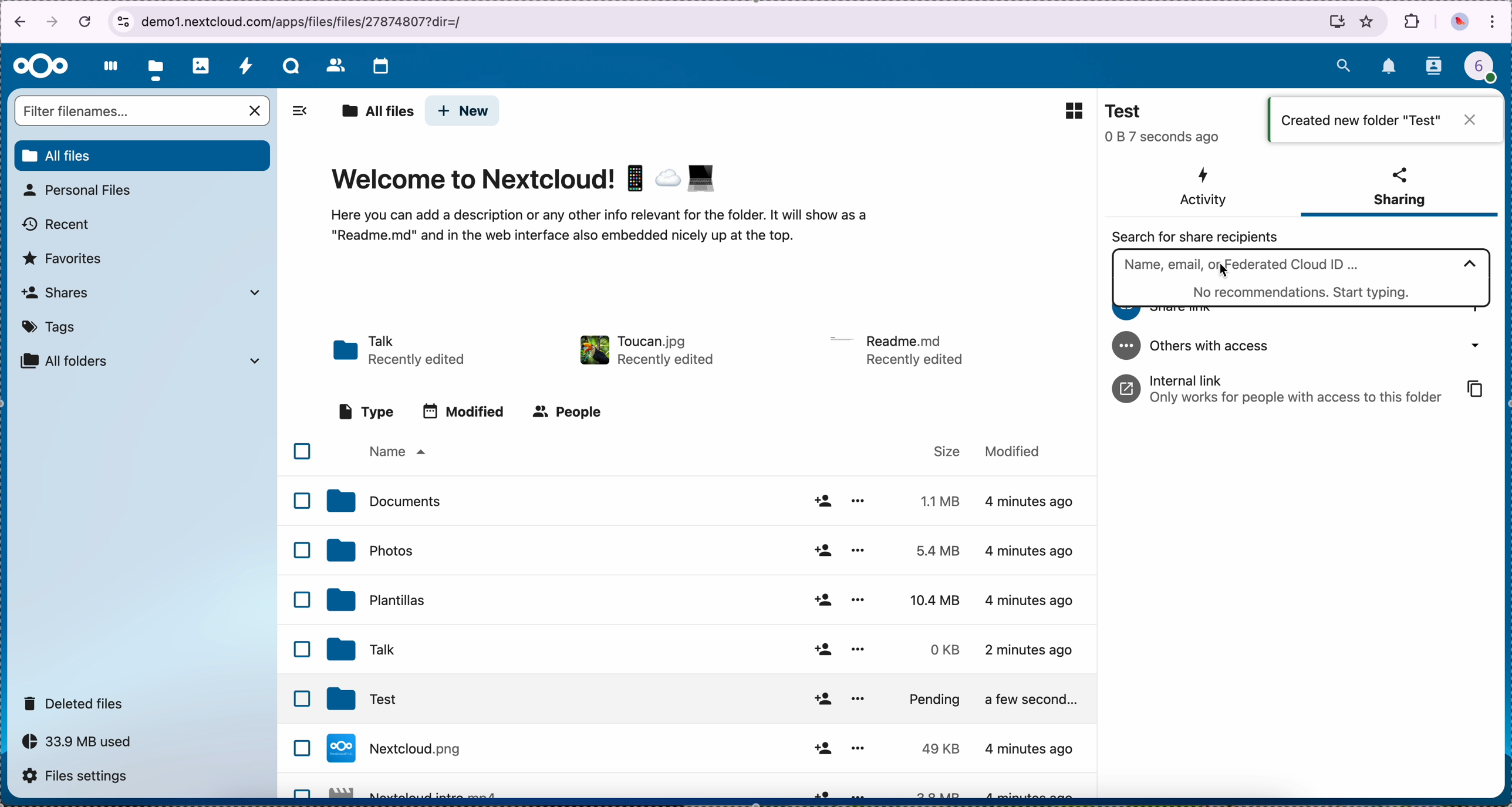  Describe the element at coordinates (1167, 137) in the screenshot. I see `seconds` at that location.